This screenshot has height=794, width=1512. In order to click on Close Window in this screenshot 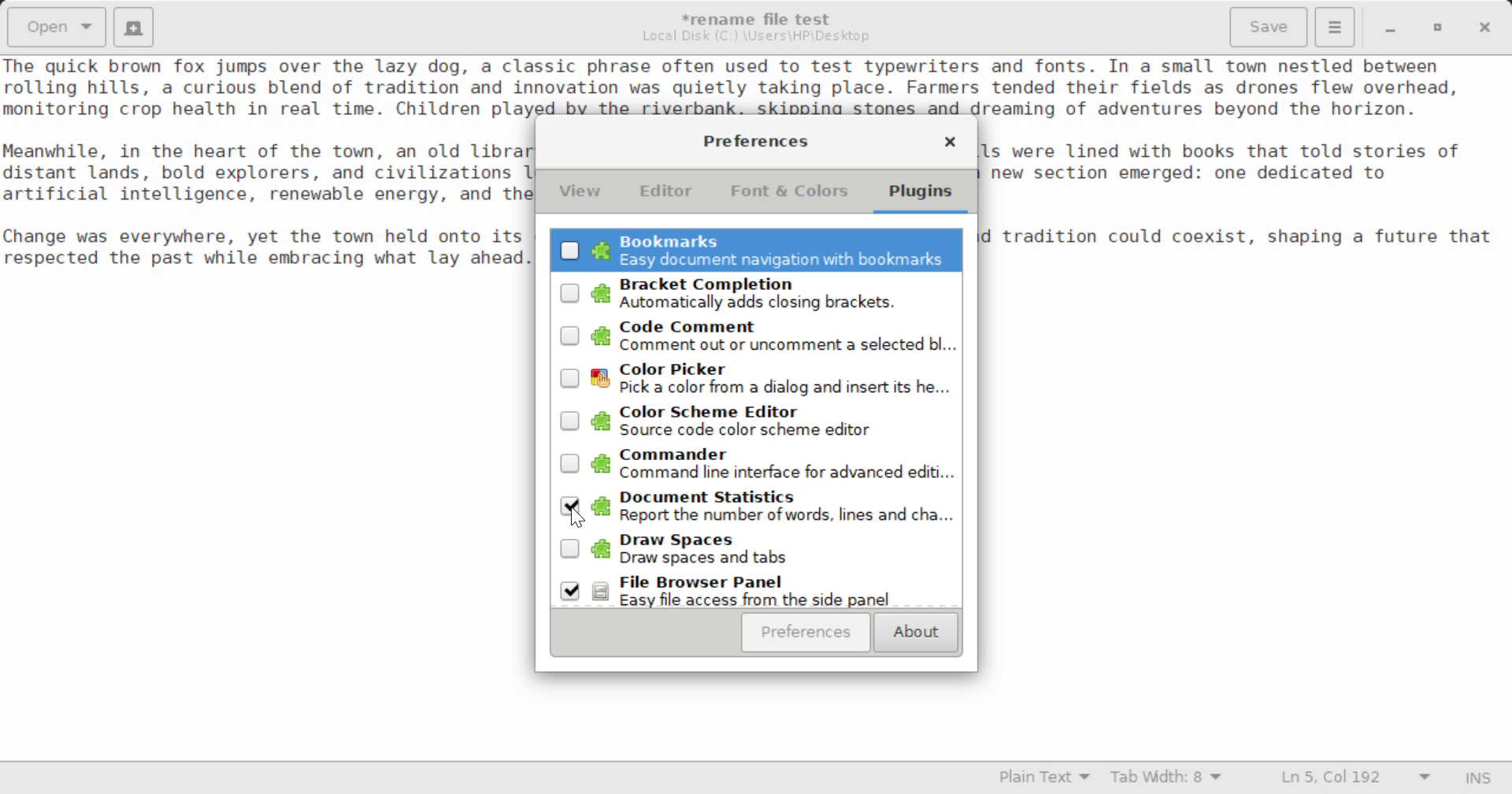, I will do `click(950, 144)`.